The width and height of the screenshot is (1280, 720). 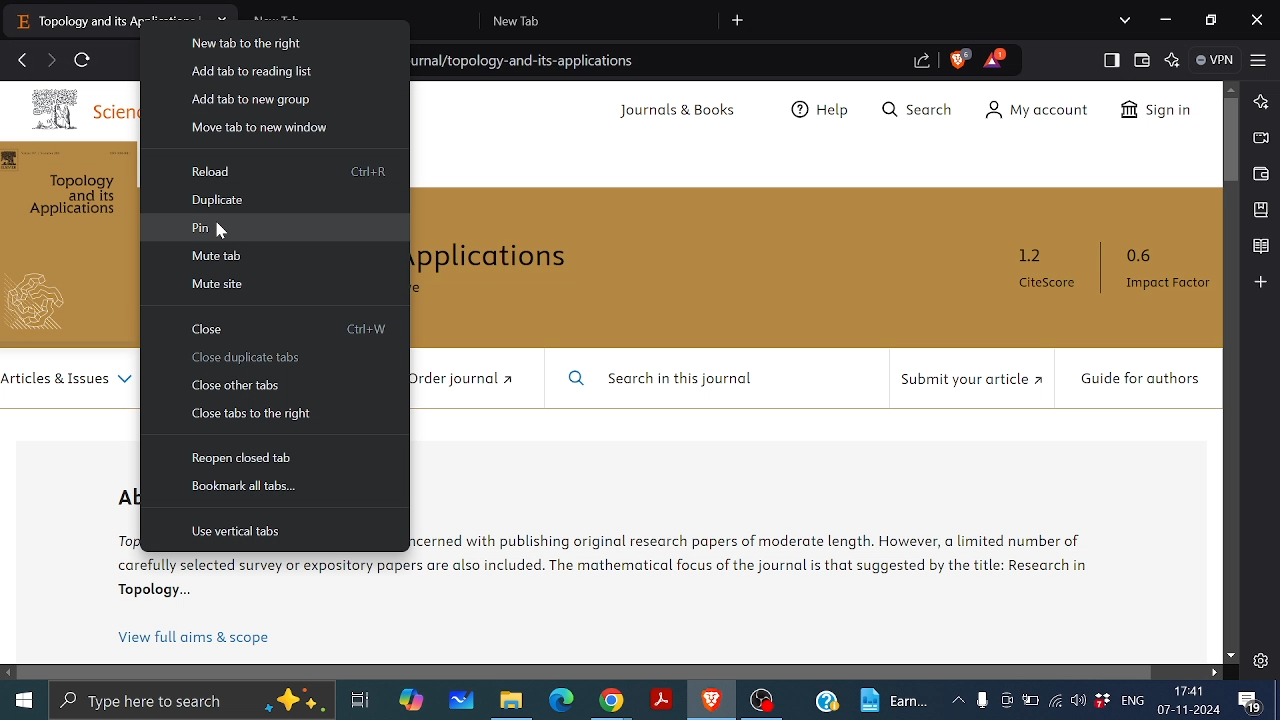 I want to click on View full aims & scope, so click(x=196, y=638).